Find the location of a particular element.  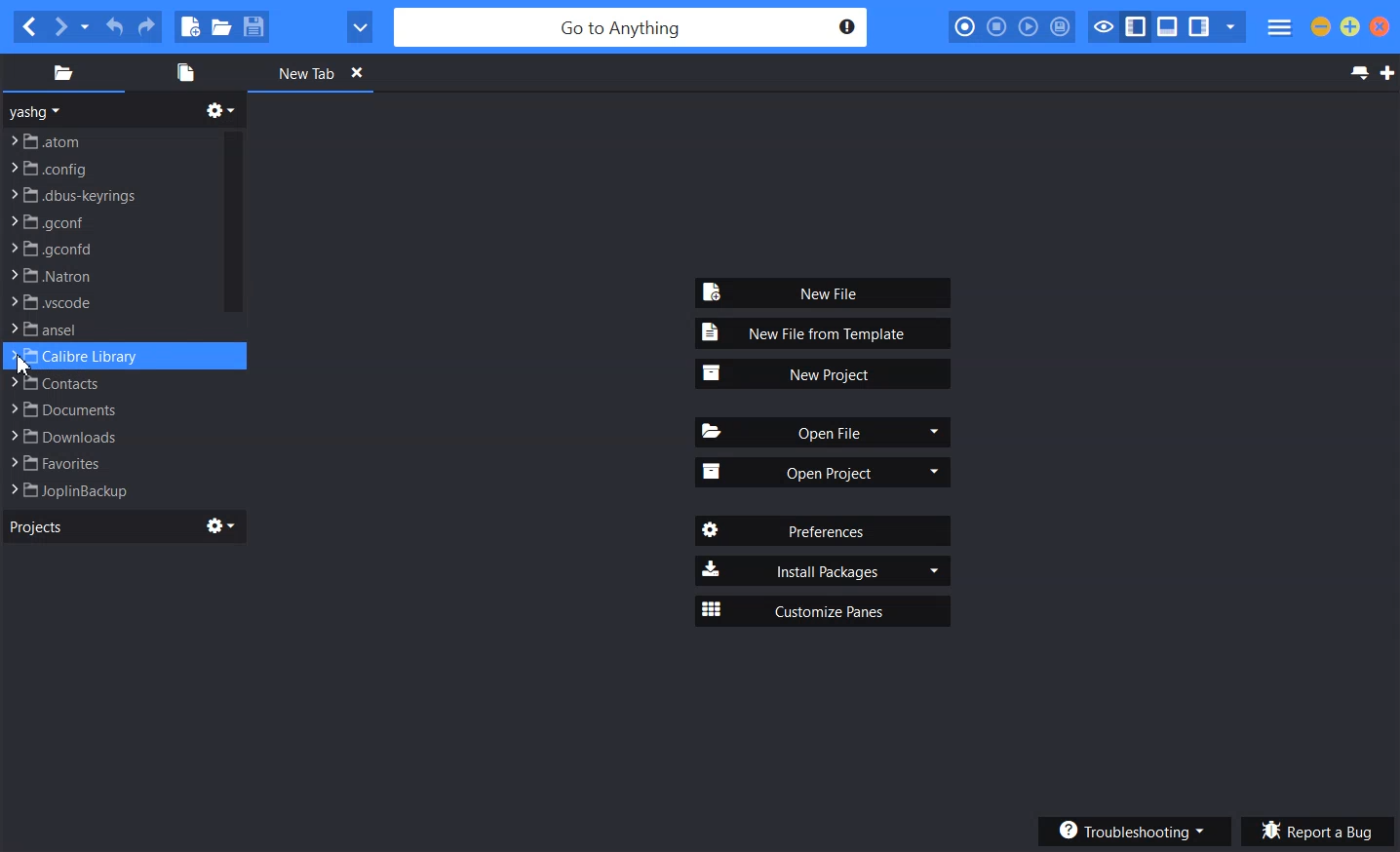

Undo Last Action is located at coordinates (116, 27).